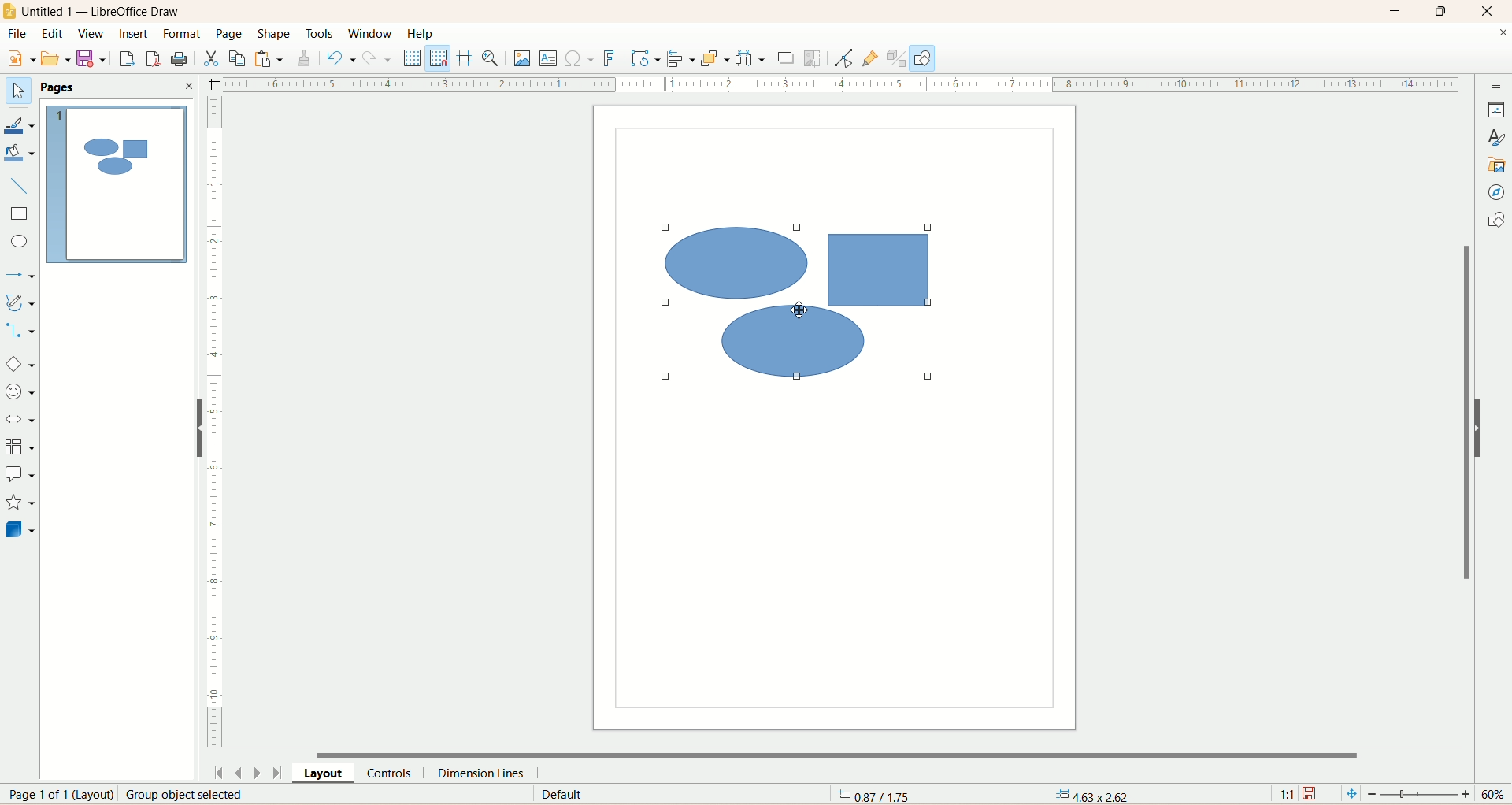 This screenshot has width=1512, height=805. What do you see at coordinates (1466, 436) in the screenshot?
I see `vertical scroll bar` at bounding box center [1466, 436].